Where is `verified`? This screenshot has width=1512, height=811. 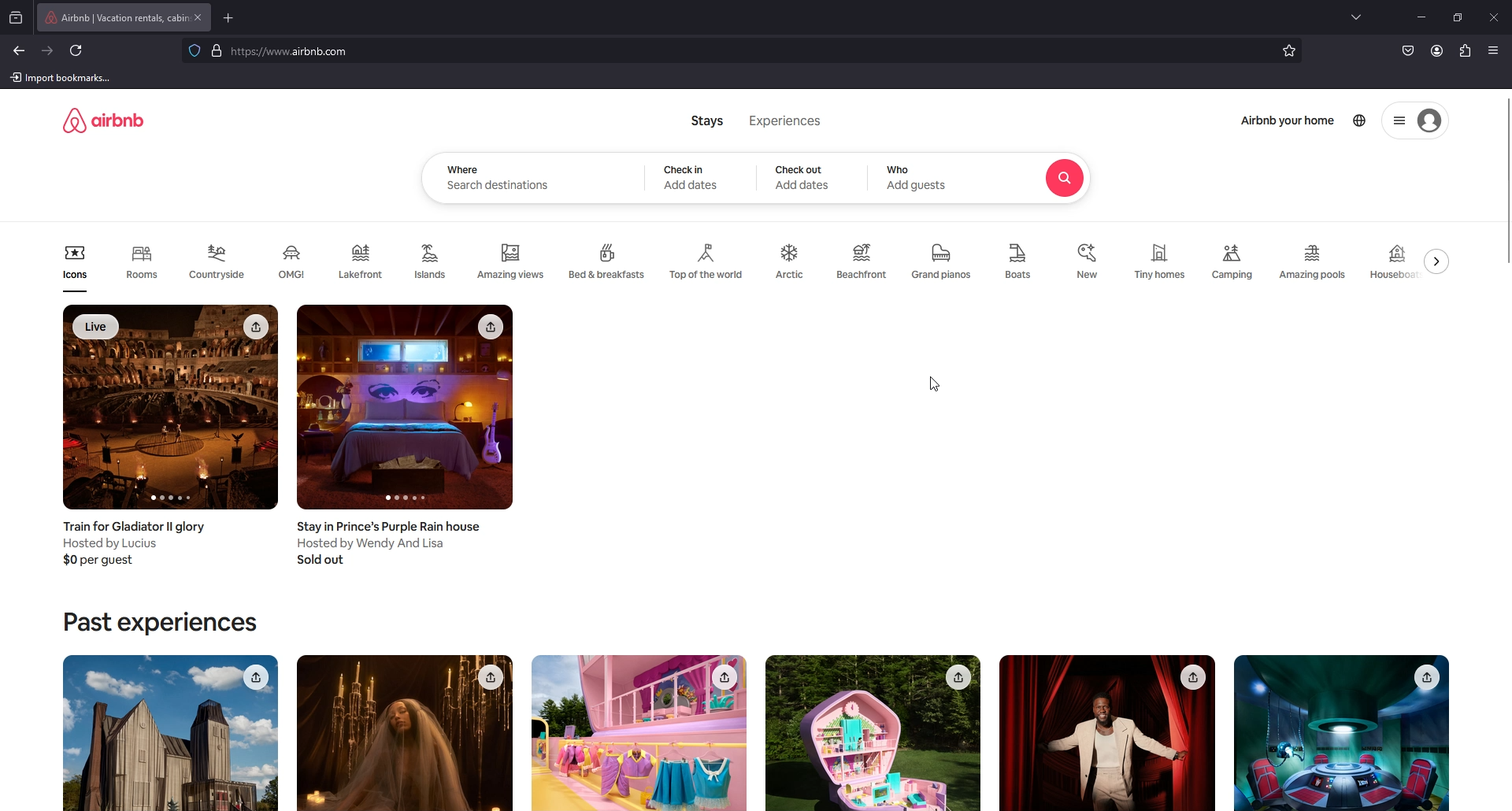
verified is located at coordinates (219, 50).